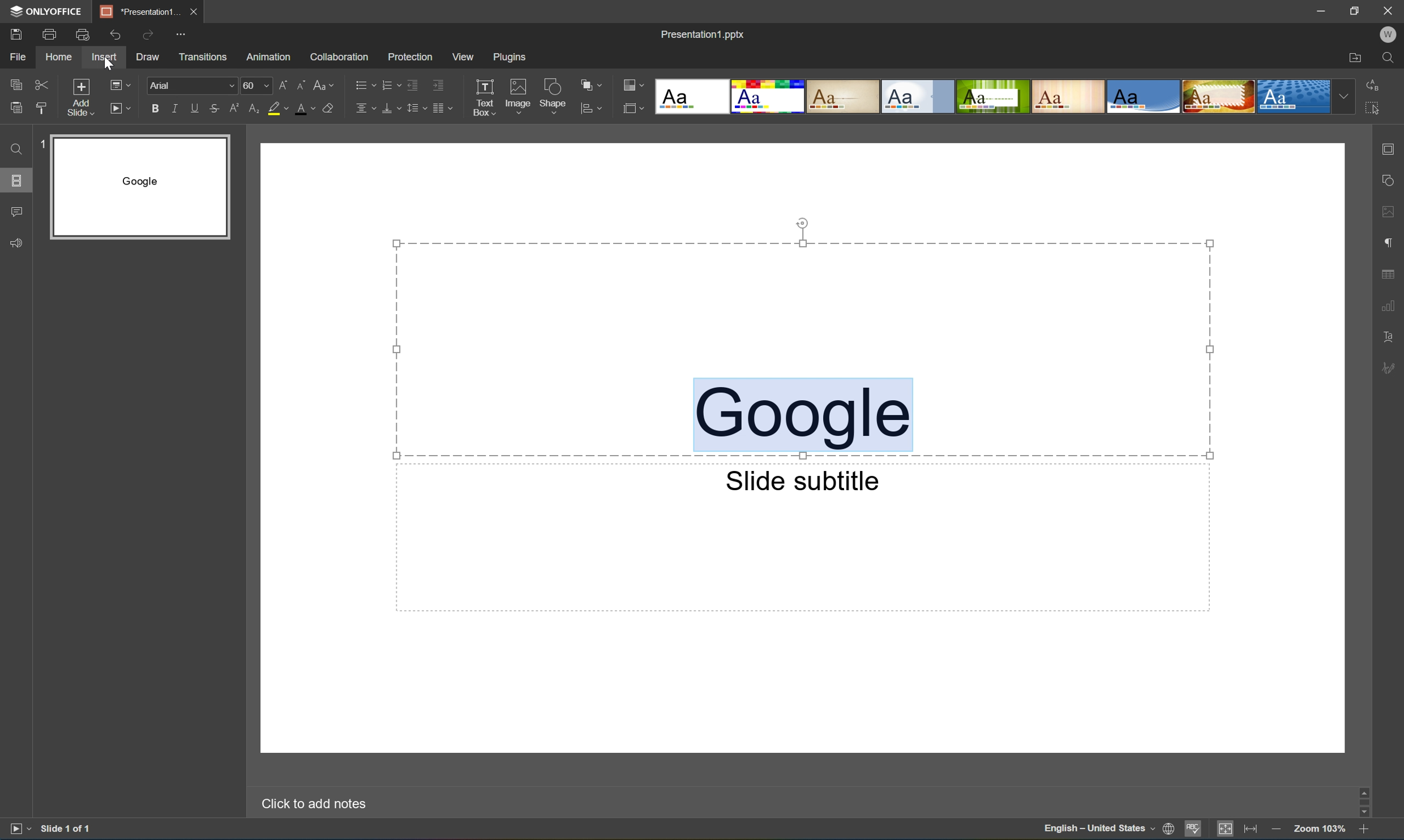 This screenshot has width=1404, height=840. What do you see at coordinates (392, 82) in the screenshot?
I see `Numbering` at bounding box center [392, 82].